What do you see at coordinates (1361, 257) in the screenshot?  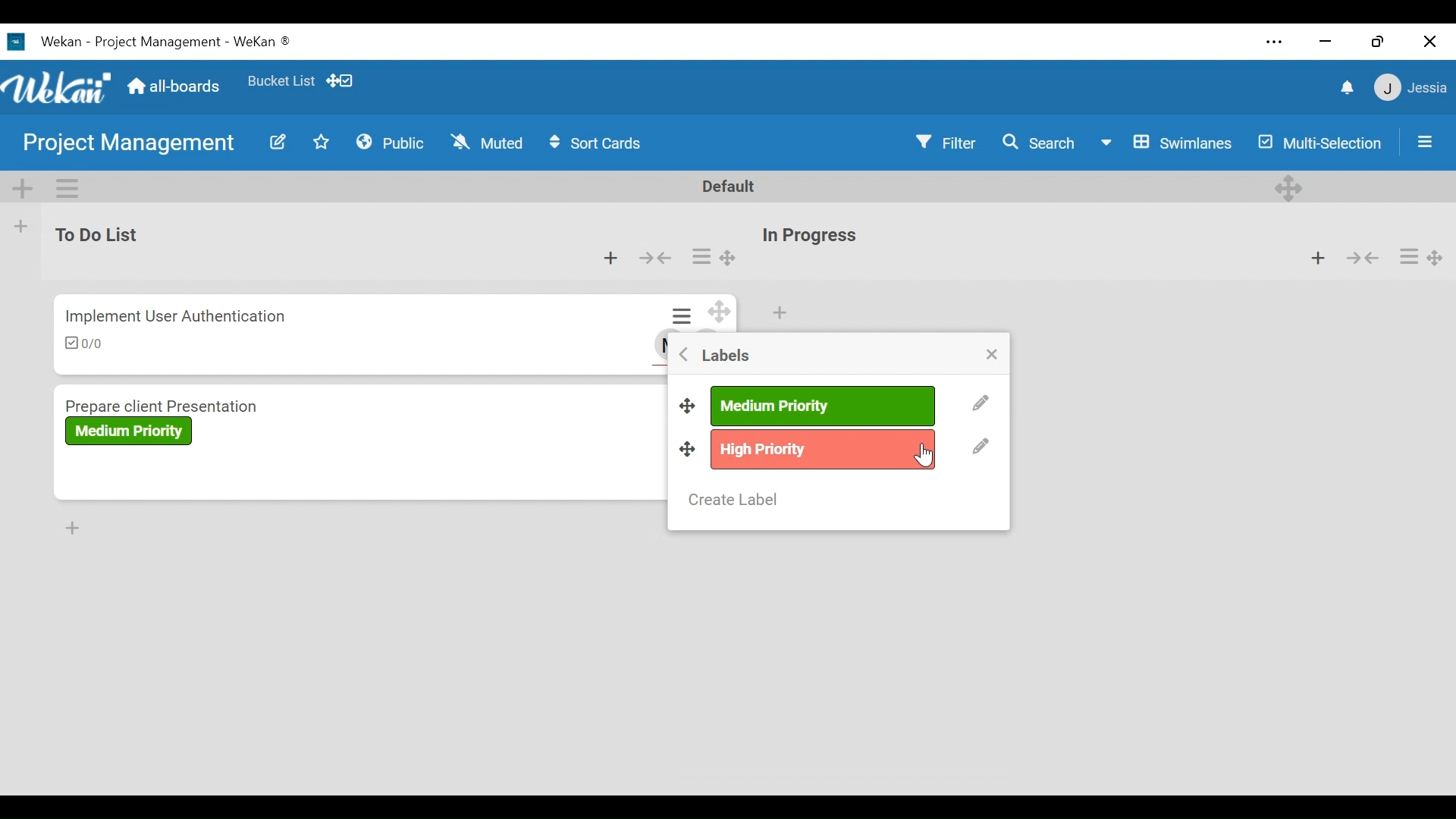 I see `Collapse` at bounding box center [1361, 257].